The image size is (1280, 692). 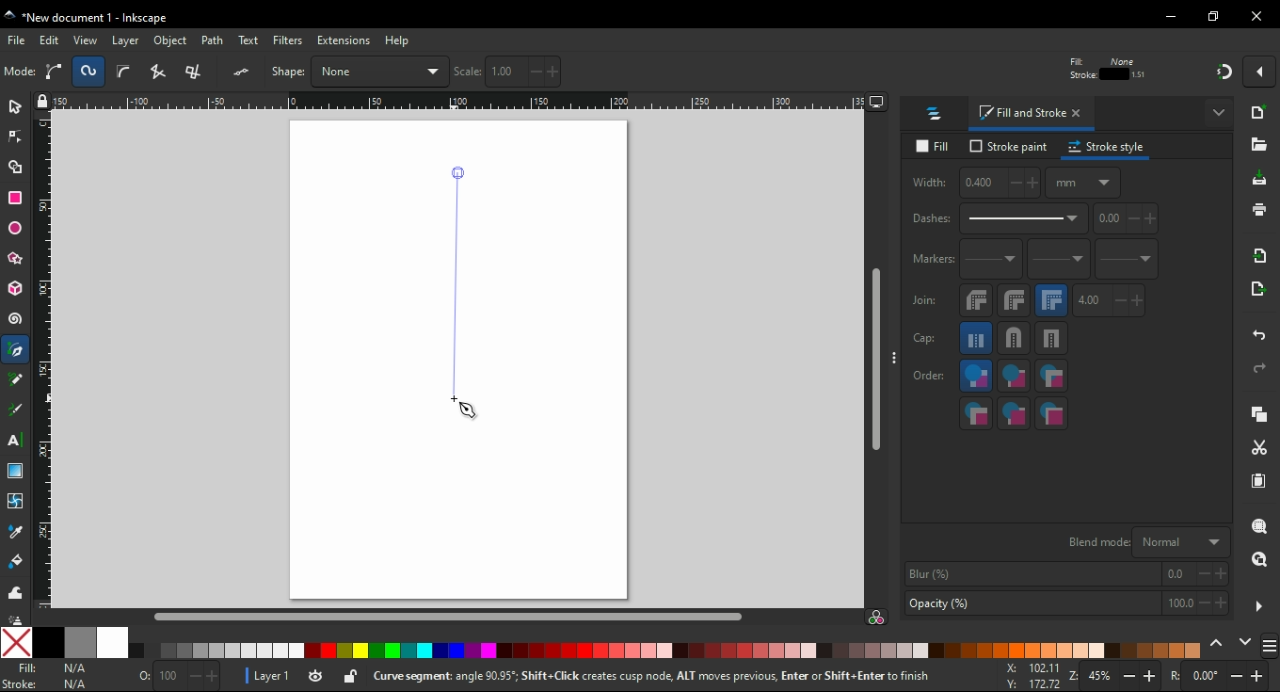 I want to click on cap, so click(x=925, y=339).